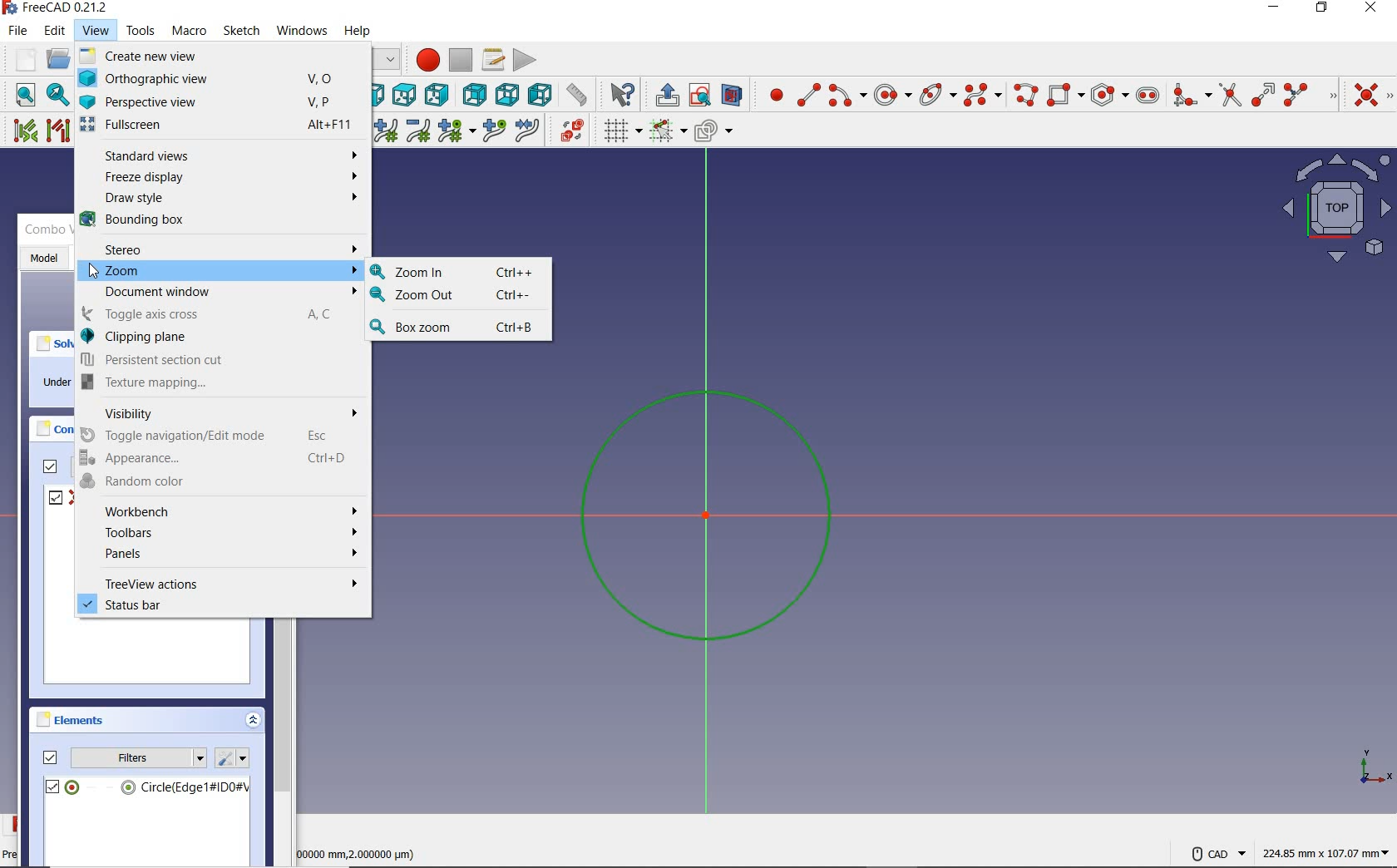 The image size is (1397, 868). What do you see at coordinates (304, 31) in the screenshot?
I see `windows` at bounding box center [304, 31].